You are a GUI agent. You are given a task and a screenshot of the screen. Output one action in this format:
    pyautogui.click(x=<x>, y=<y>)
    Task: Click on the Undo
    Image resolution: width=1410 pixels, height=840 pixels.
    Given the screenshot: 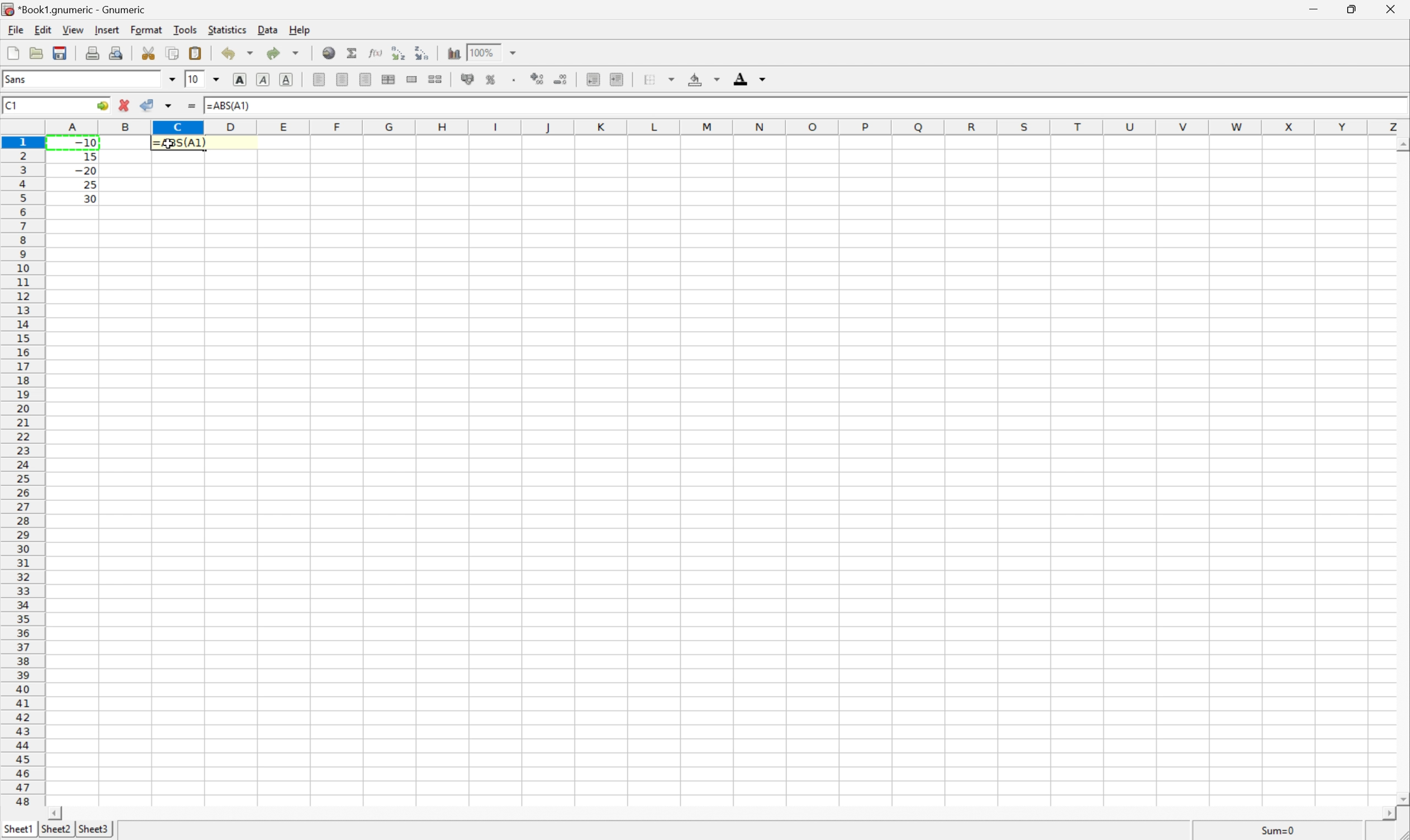 What is the action you would take?
    pyautogui.click(x=239, y=53)
    